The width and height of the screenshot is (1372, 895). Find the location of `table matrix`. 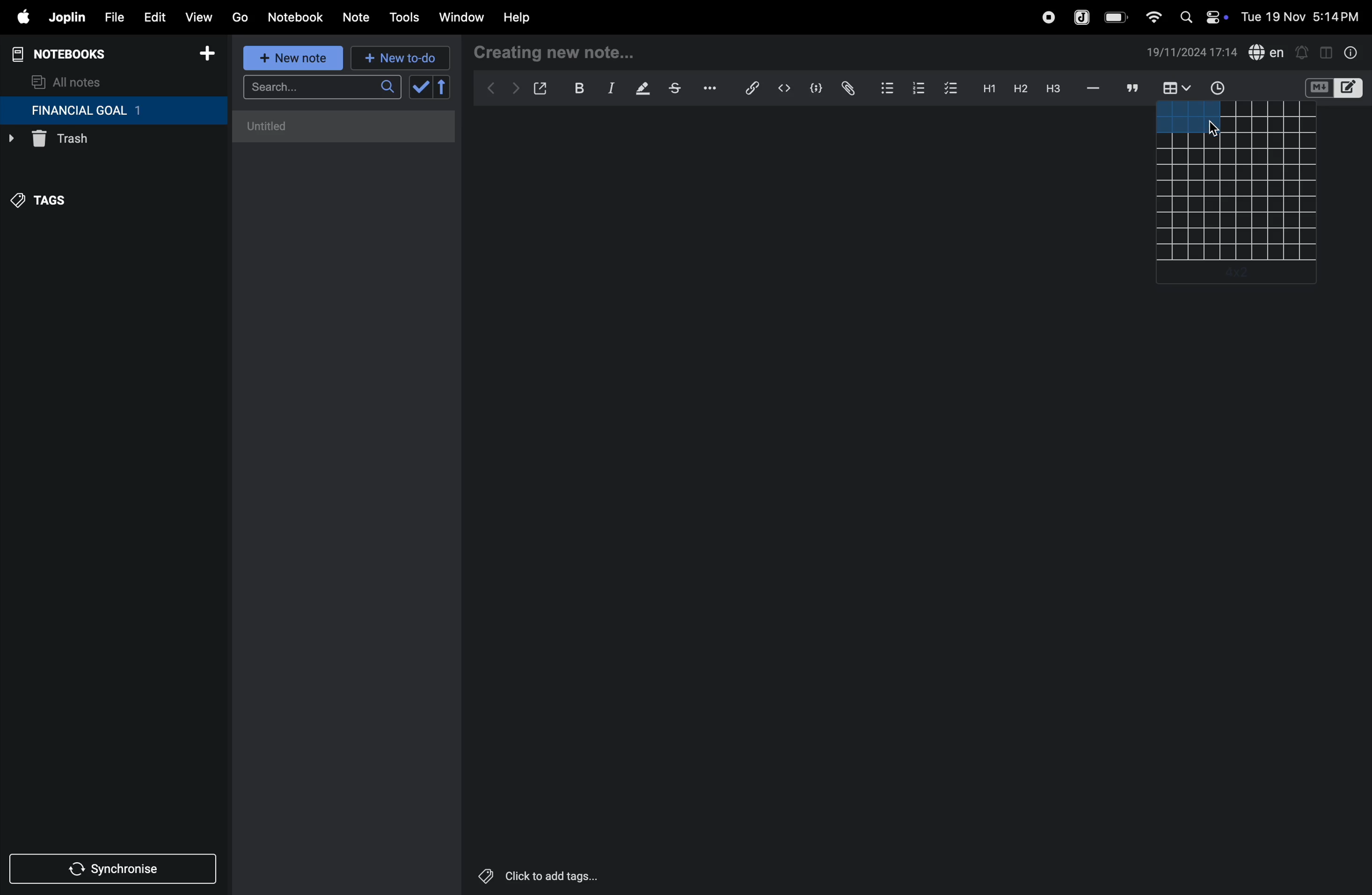

table matrix is located at coordinates (1238, 181).